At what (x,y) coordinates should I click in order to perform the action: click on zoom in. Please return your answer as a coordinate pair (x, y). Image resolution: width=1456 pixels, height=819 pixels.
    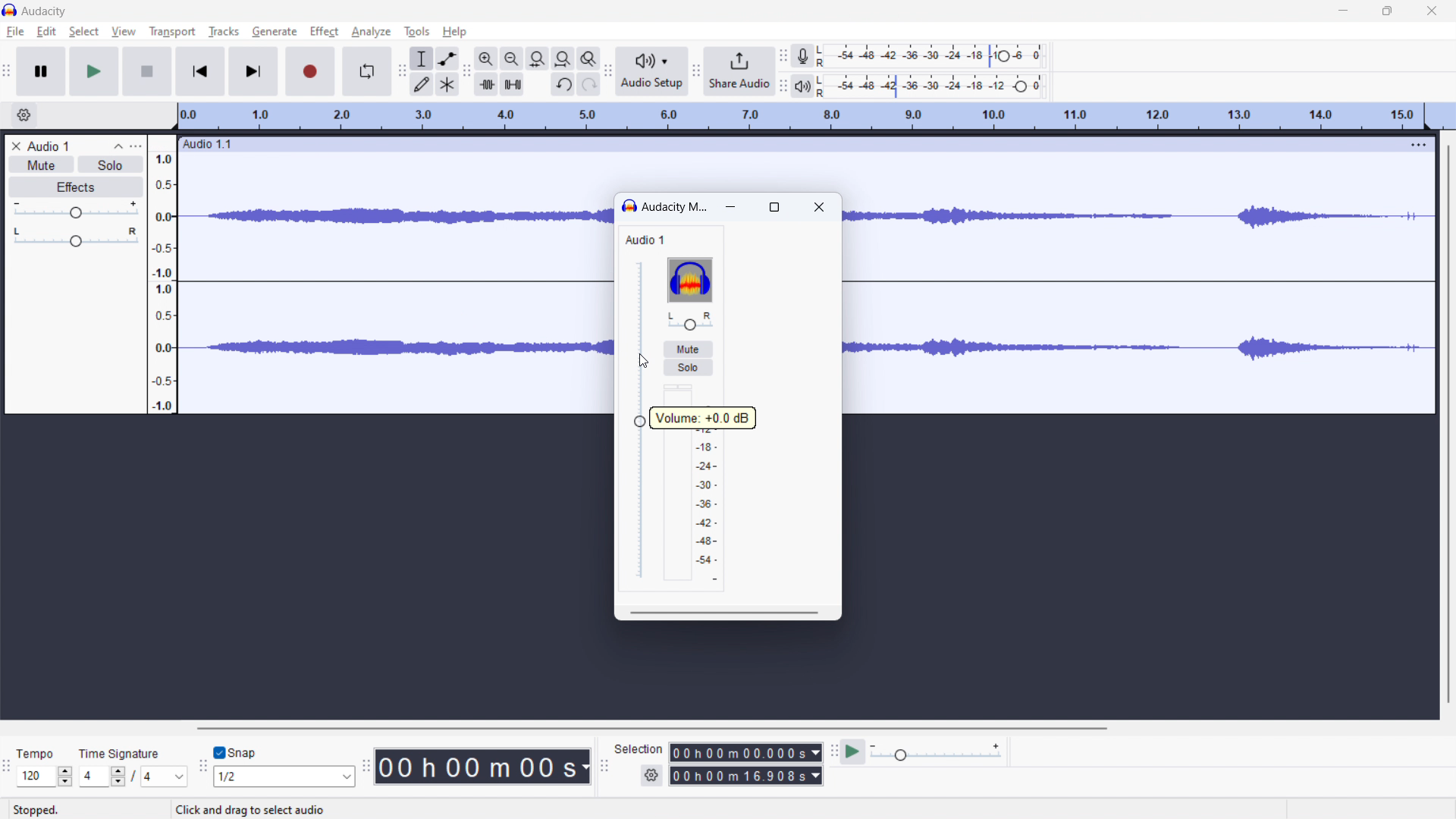
    Looking at the image, I should click on (486, 58).